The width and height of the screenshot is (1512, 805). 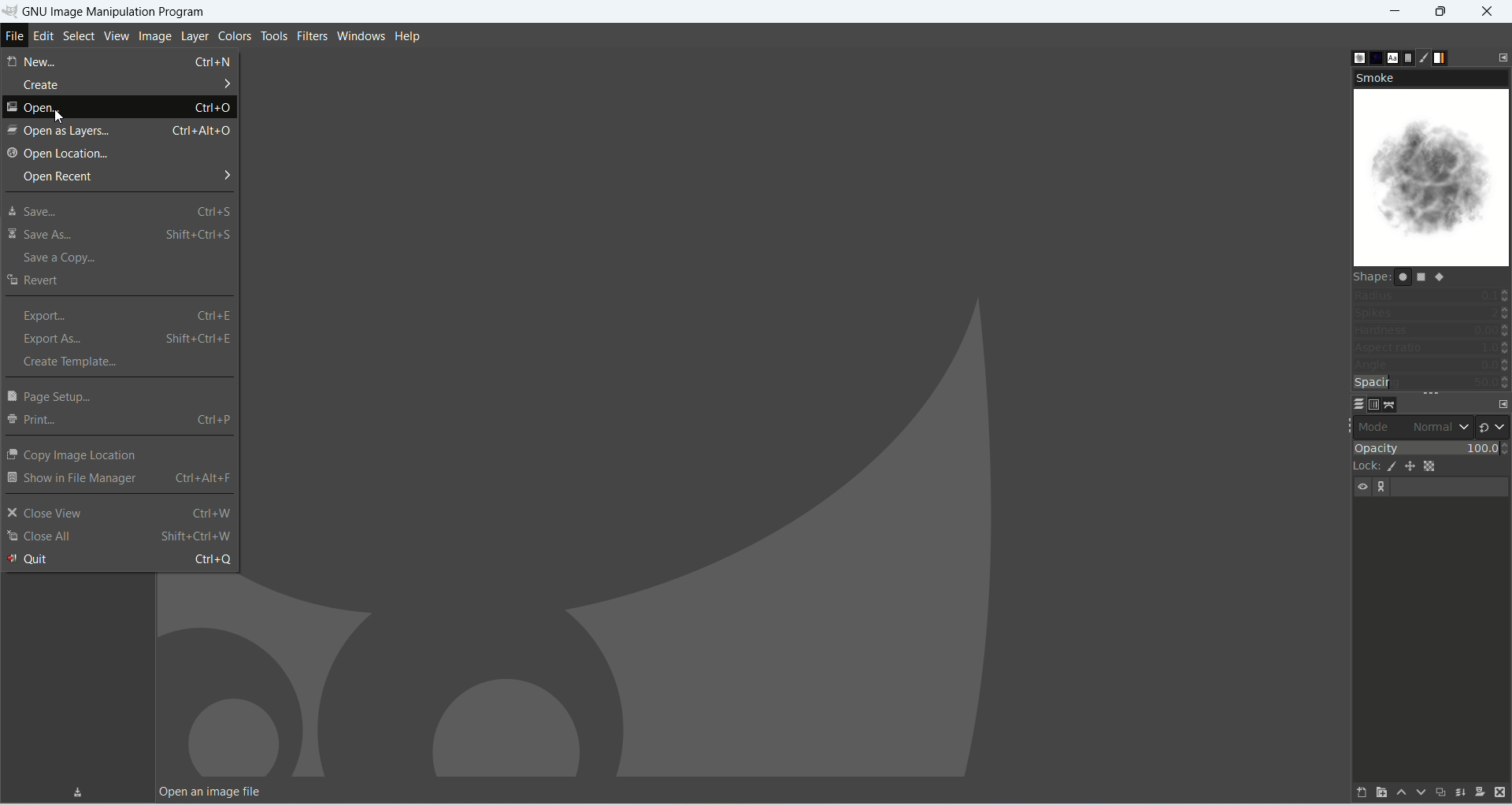 I want to click on configure this tab, so click(x=1502, y=56).